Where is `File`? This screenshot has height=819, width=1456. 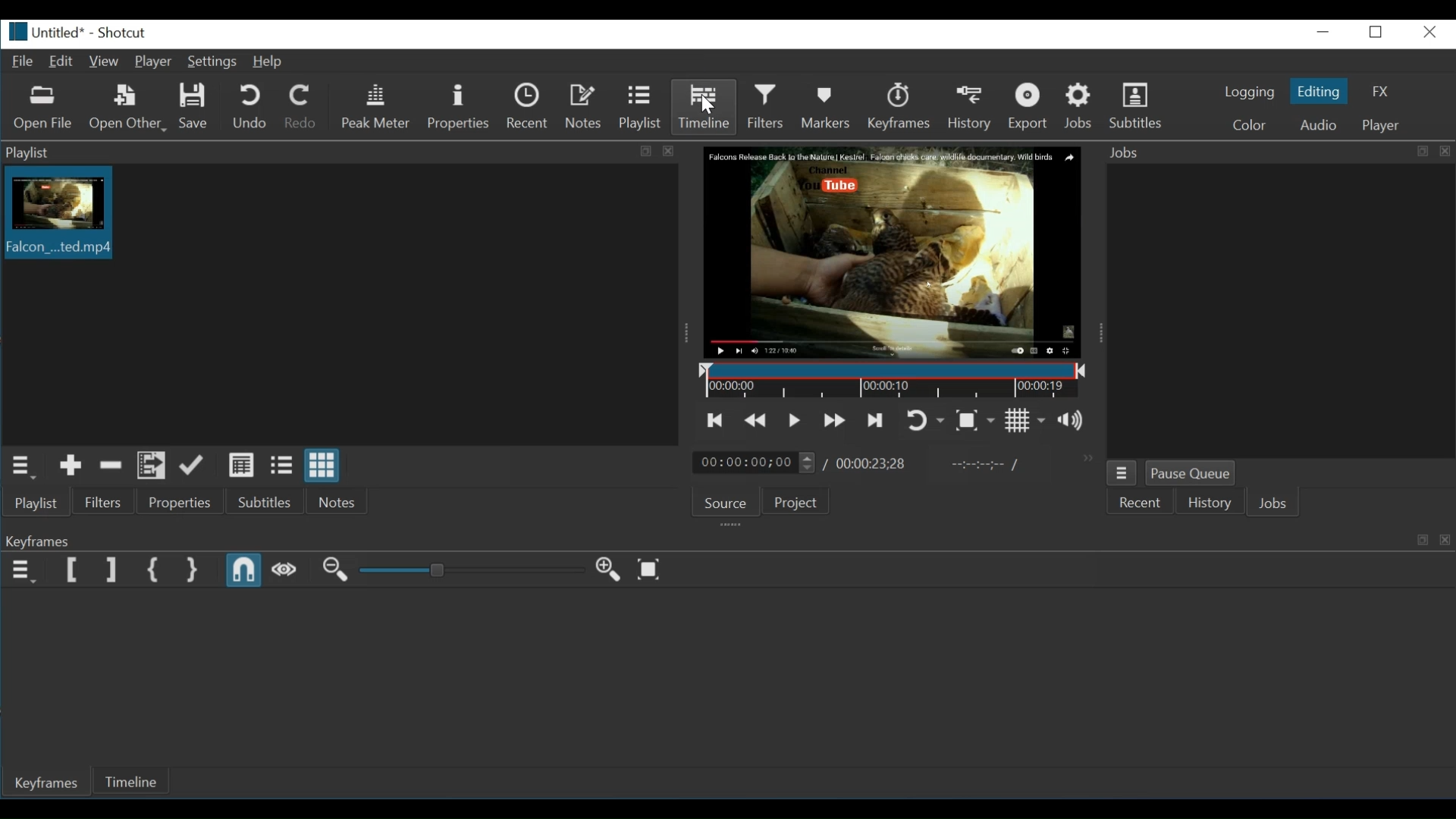 File is located at coordinates (20, 60).